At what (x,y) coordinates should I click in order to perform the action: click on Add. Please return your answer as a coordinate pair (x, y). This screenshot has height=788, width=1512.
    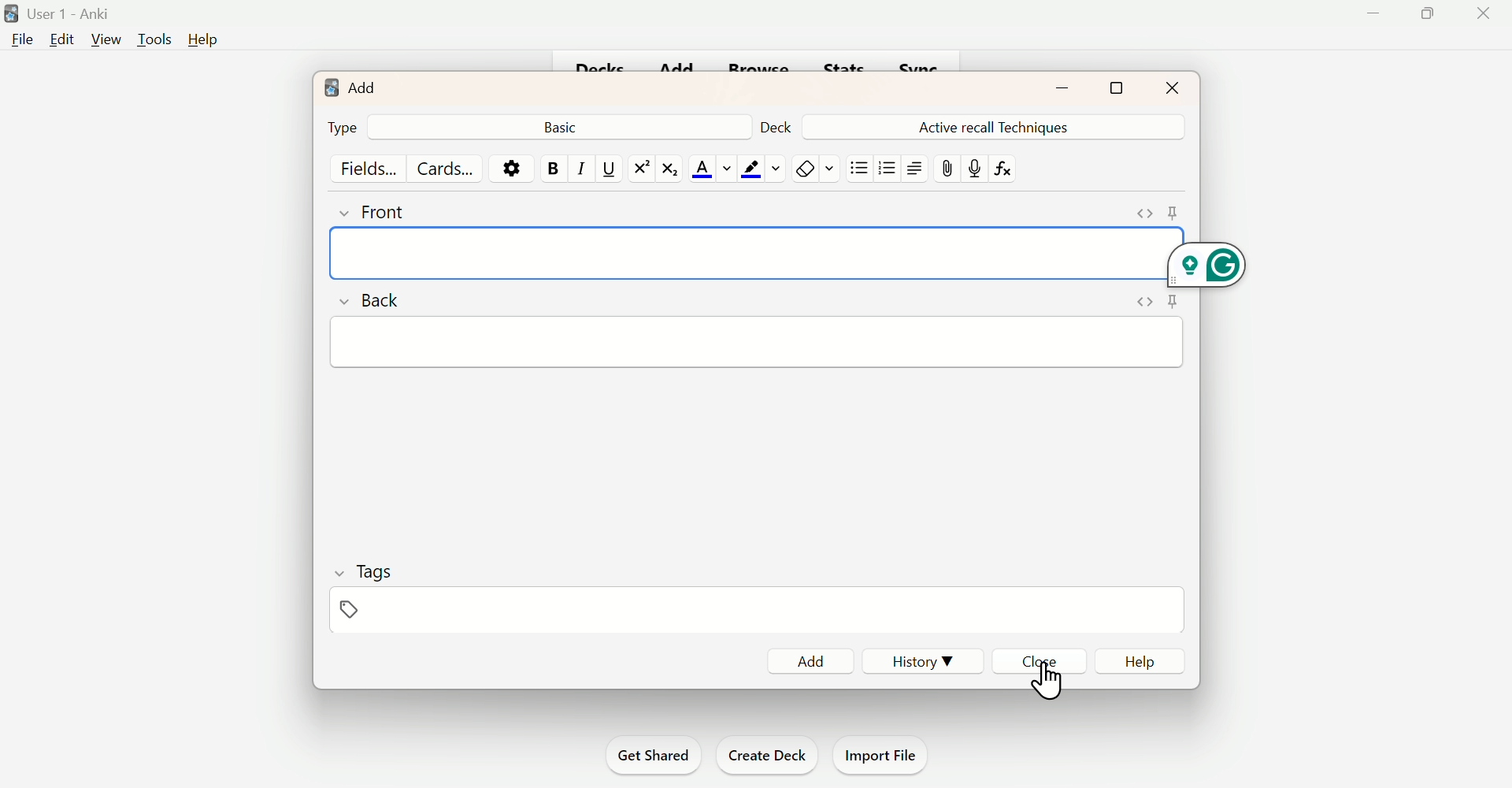
    Looking at the image, I should click on (362, 87).